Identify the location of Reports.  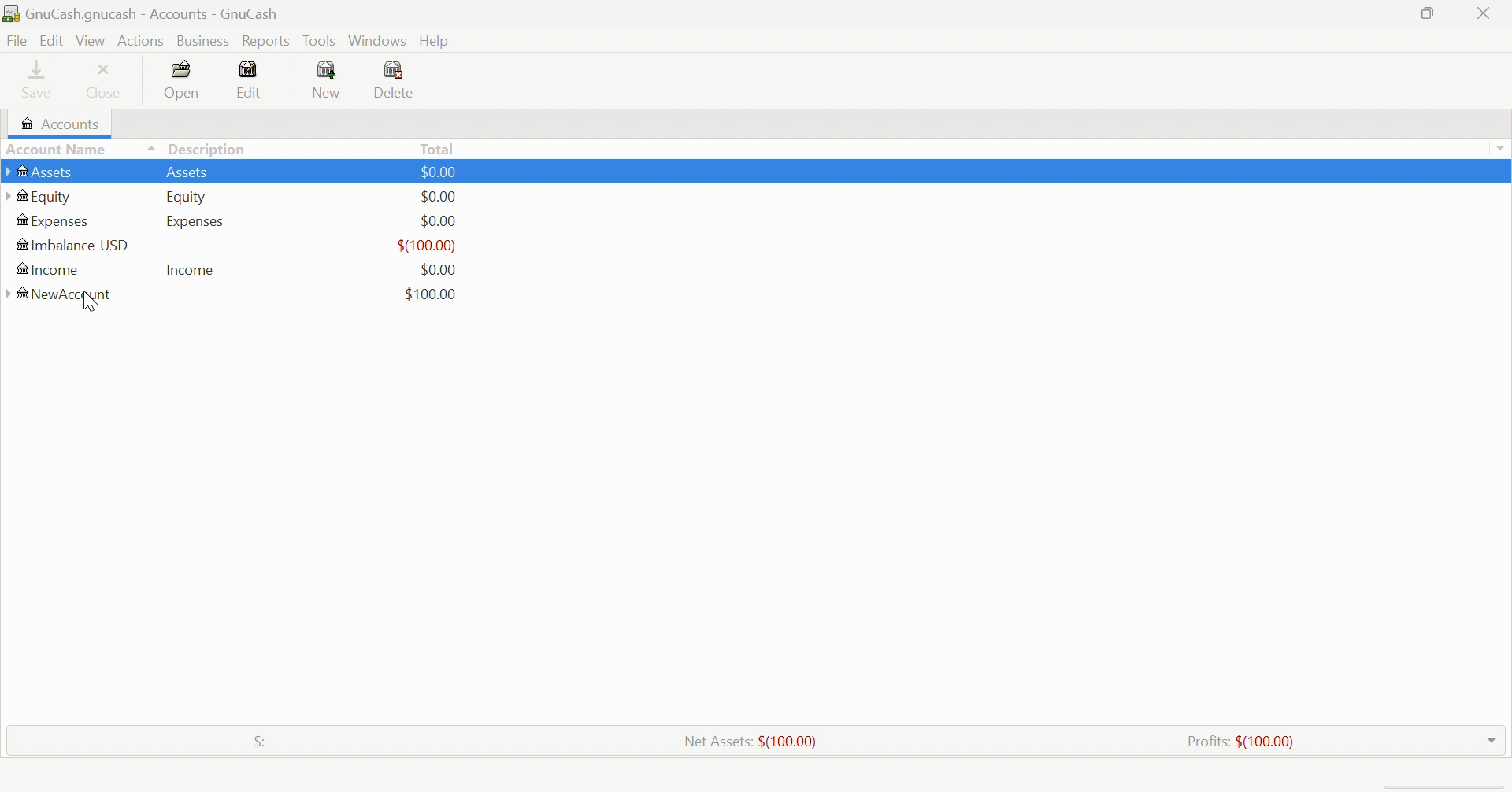
(267, 43).